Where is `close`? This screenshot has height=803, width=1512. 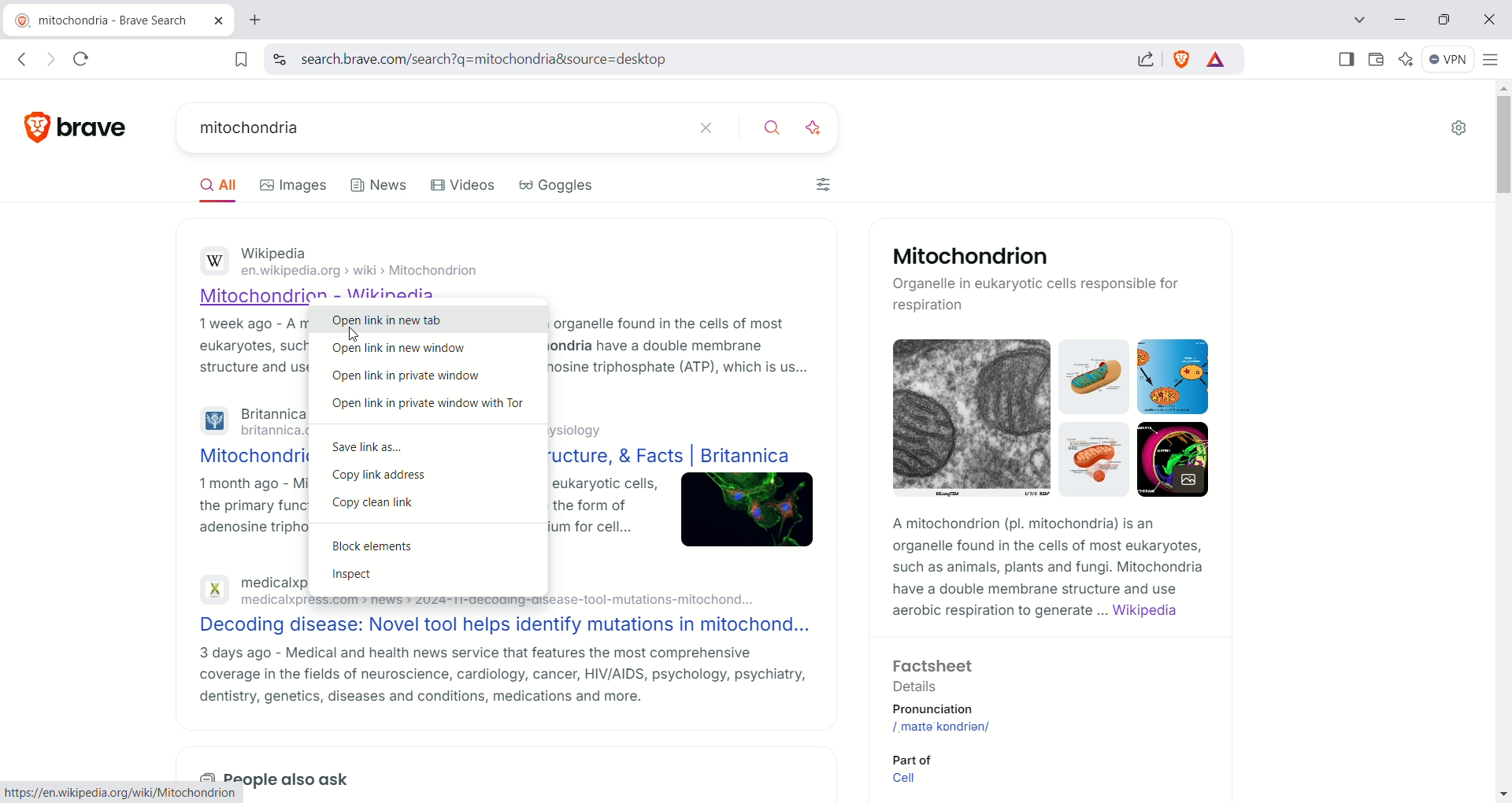 close is located at coordinates (1490, 20).